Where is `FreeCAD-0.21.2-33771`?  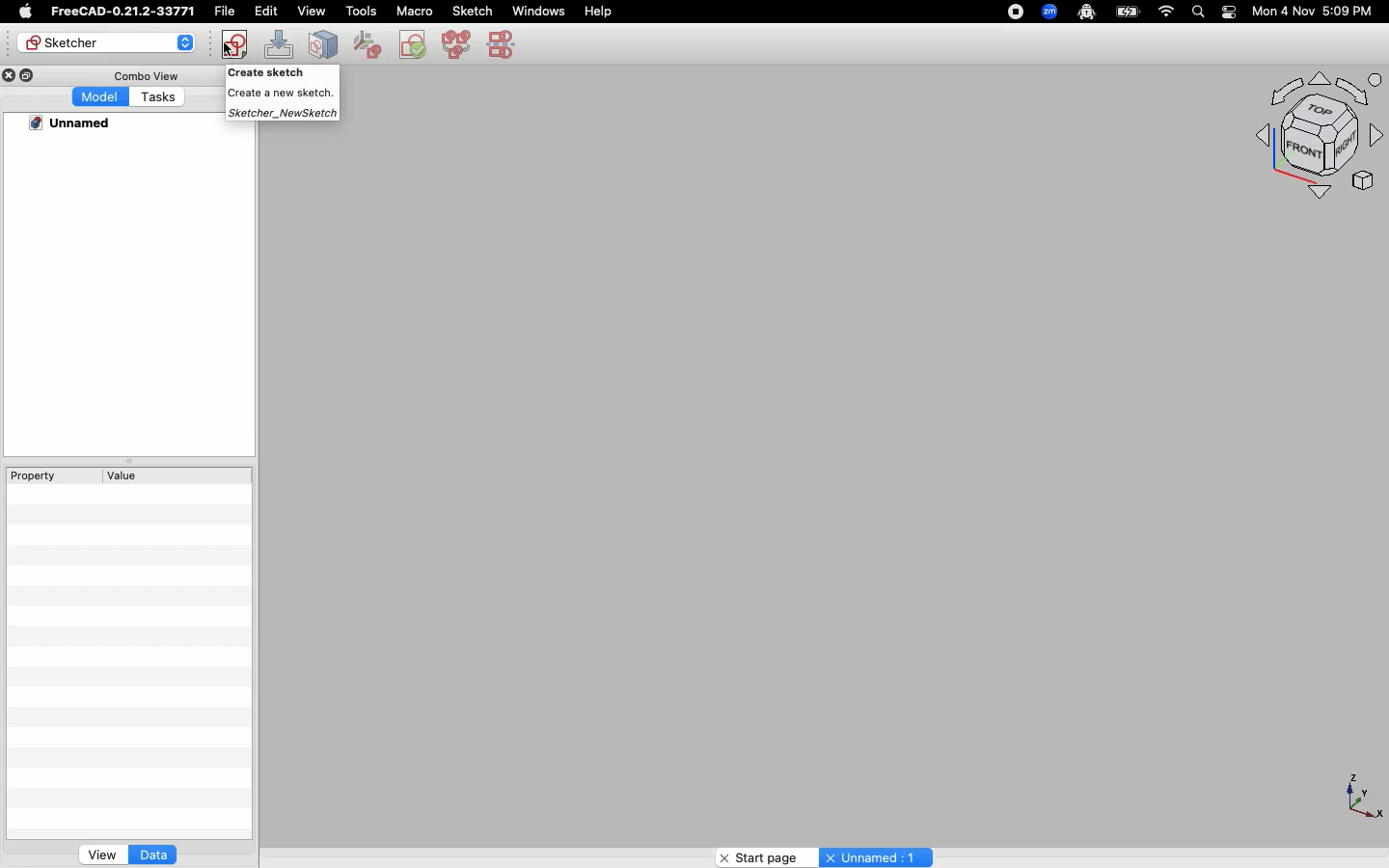
FreeCAD-0.21.2-33771 is located at coordinates (121, 12).